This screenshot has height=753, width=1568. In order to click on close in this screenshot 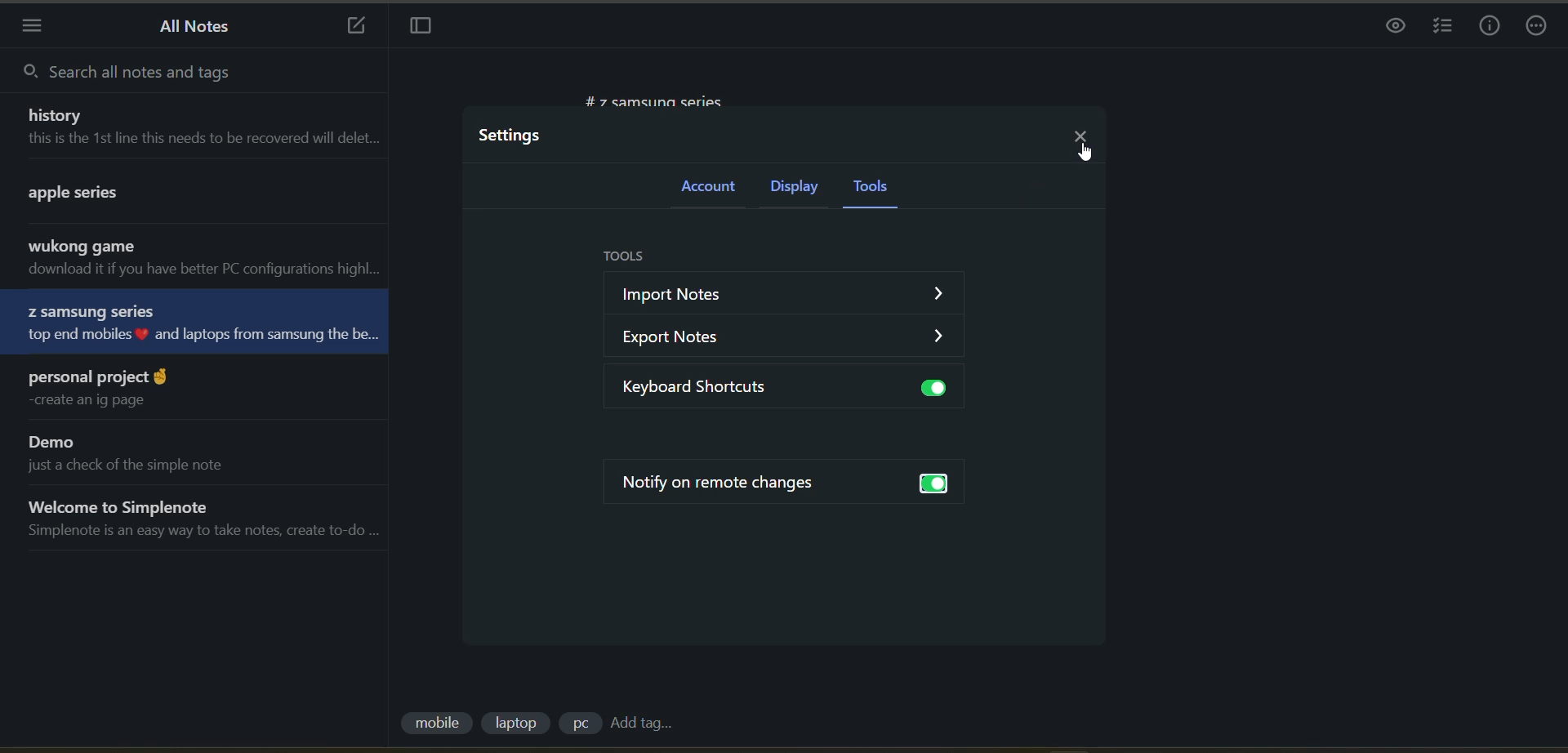, I will do `click(1082, 133)`.